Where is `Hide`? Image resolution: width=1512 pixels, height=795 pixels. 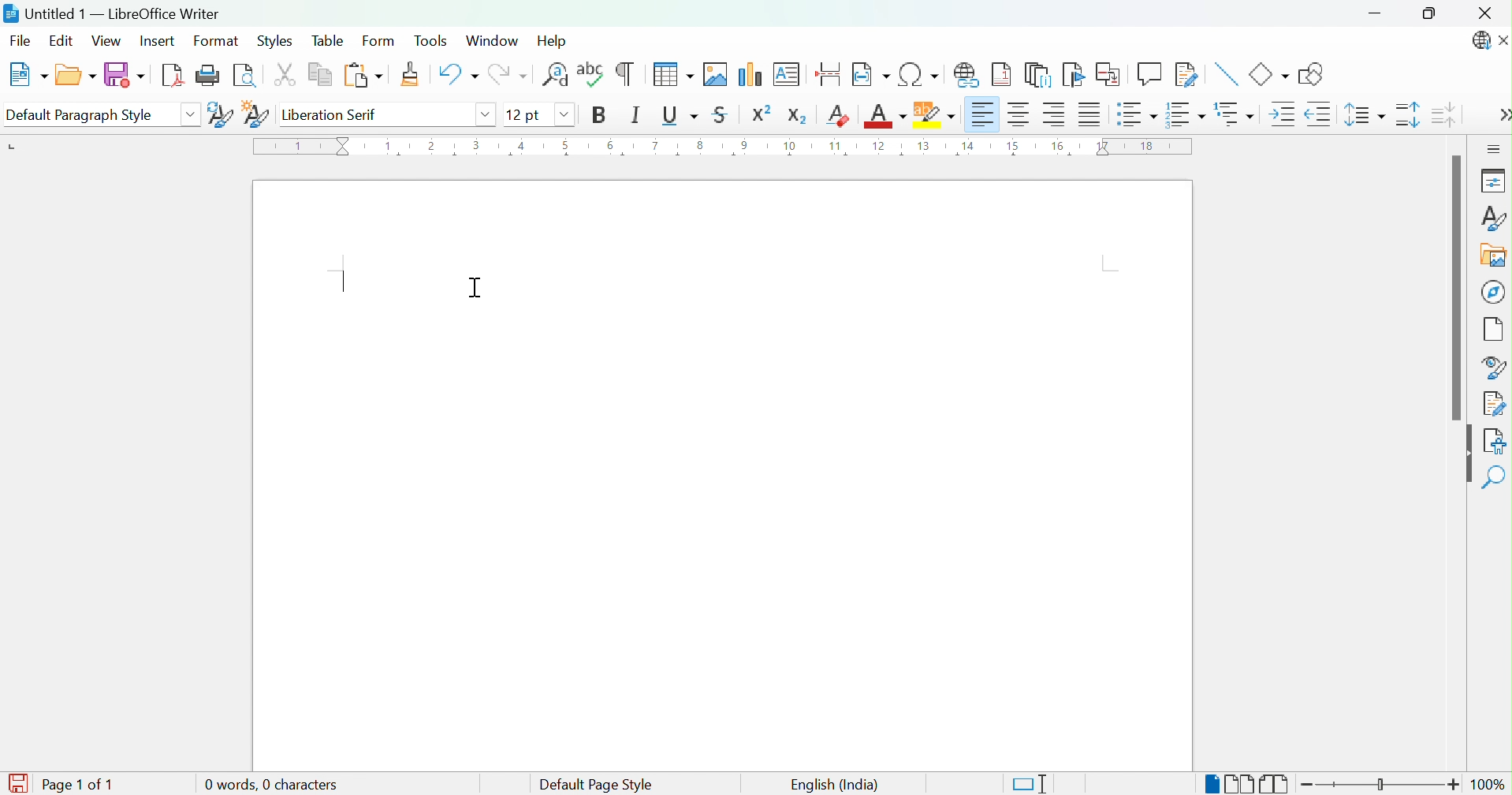
Hide is located at coordinates (1464, 456).